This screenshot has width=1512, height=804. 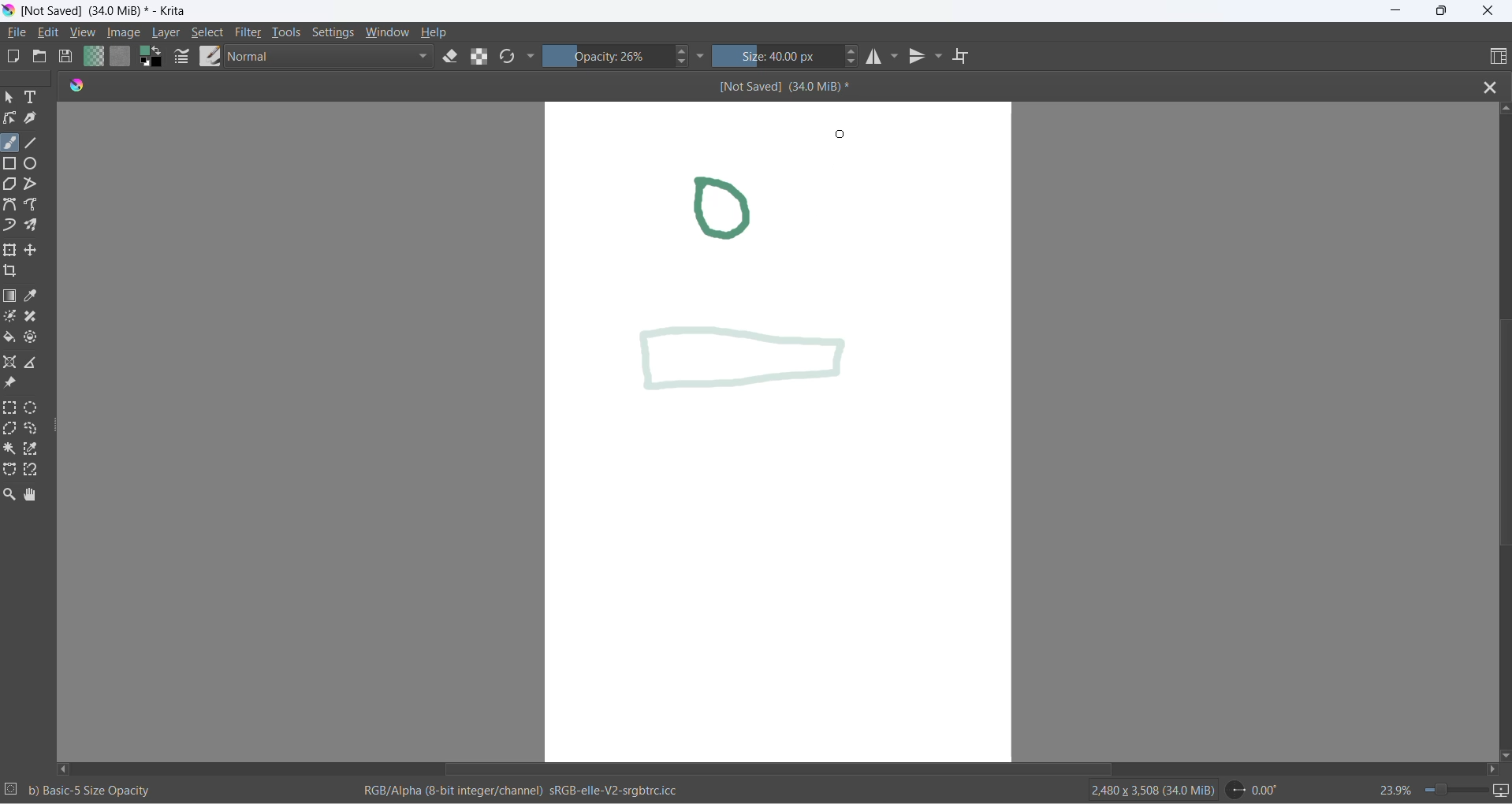 What do you see at coordinates (34, 297) in the screenshot?
I see `sample a color from image` at bounding box center [34, 297].